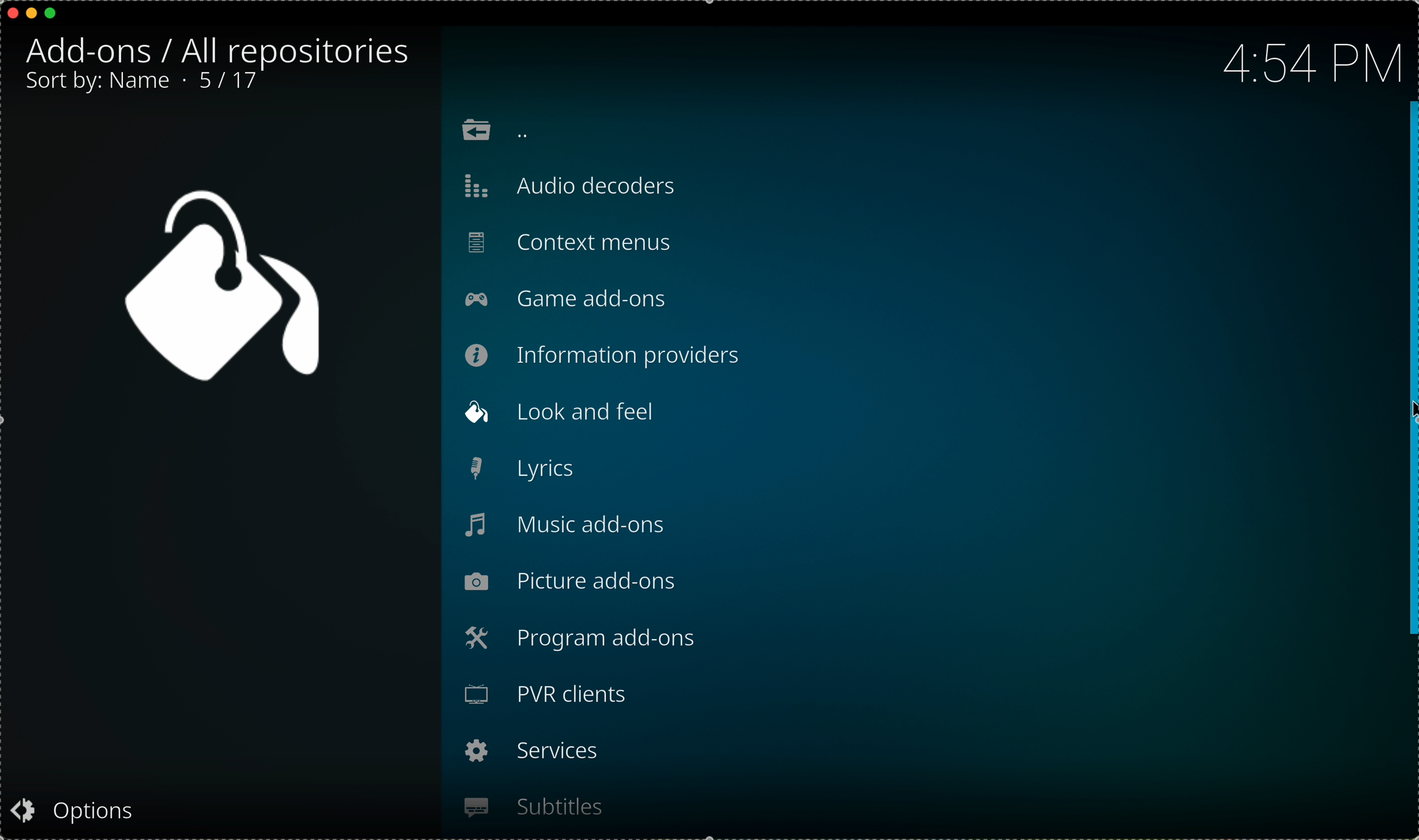 Image resolution: width=1419 pixels, height=840 pixels. I want to click on sort by: name, so click(99, 83).